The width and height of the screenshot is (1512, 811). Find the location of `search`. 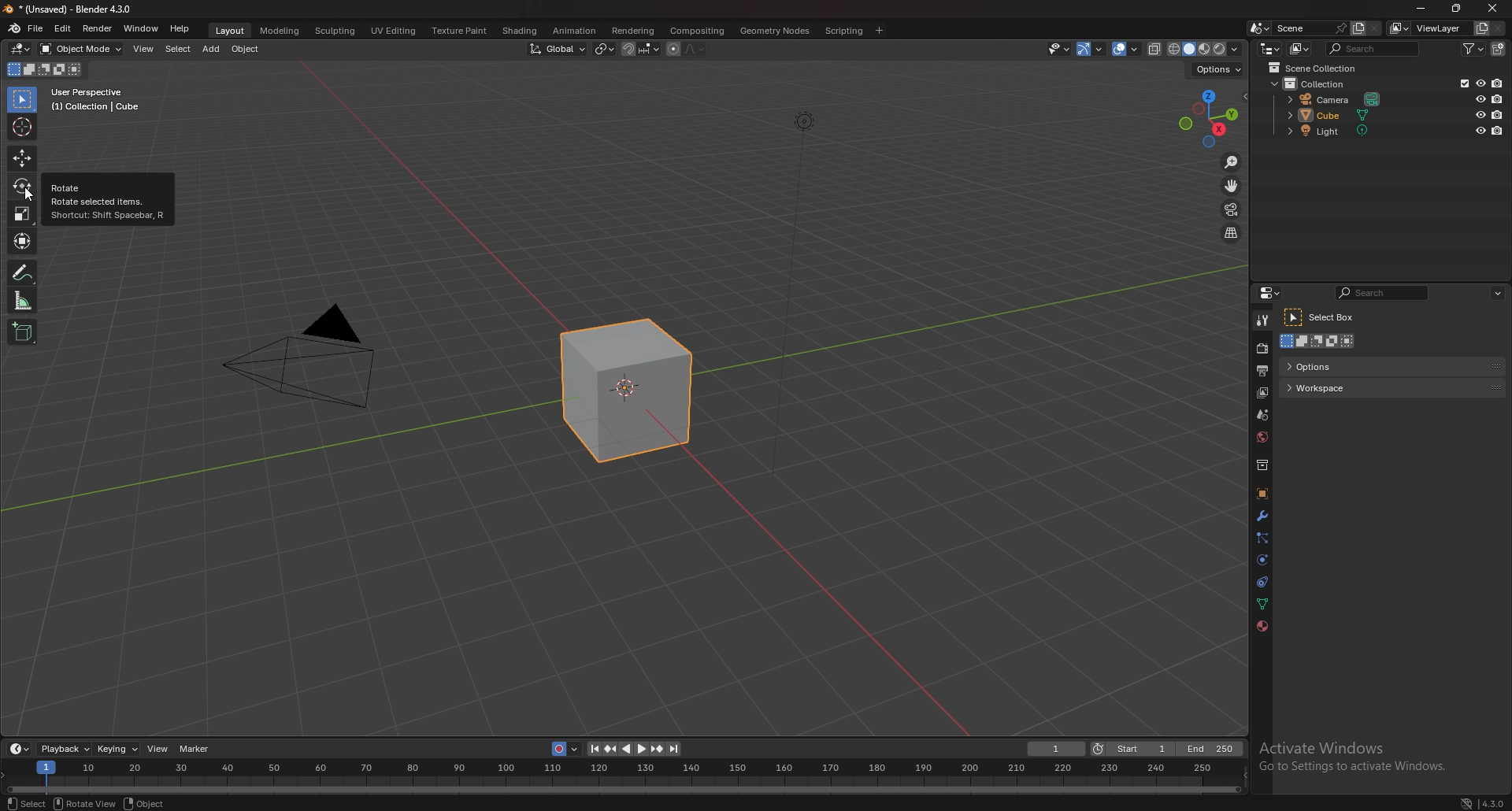

search is located at coordinates (1374, 49).